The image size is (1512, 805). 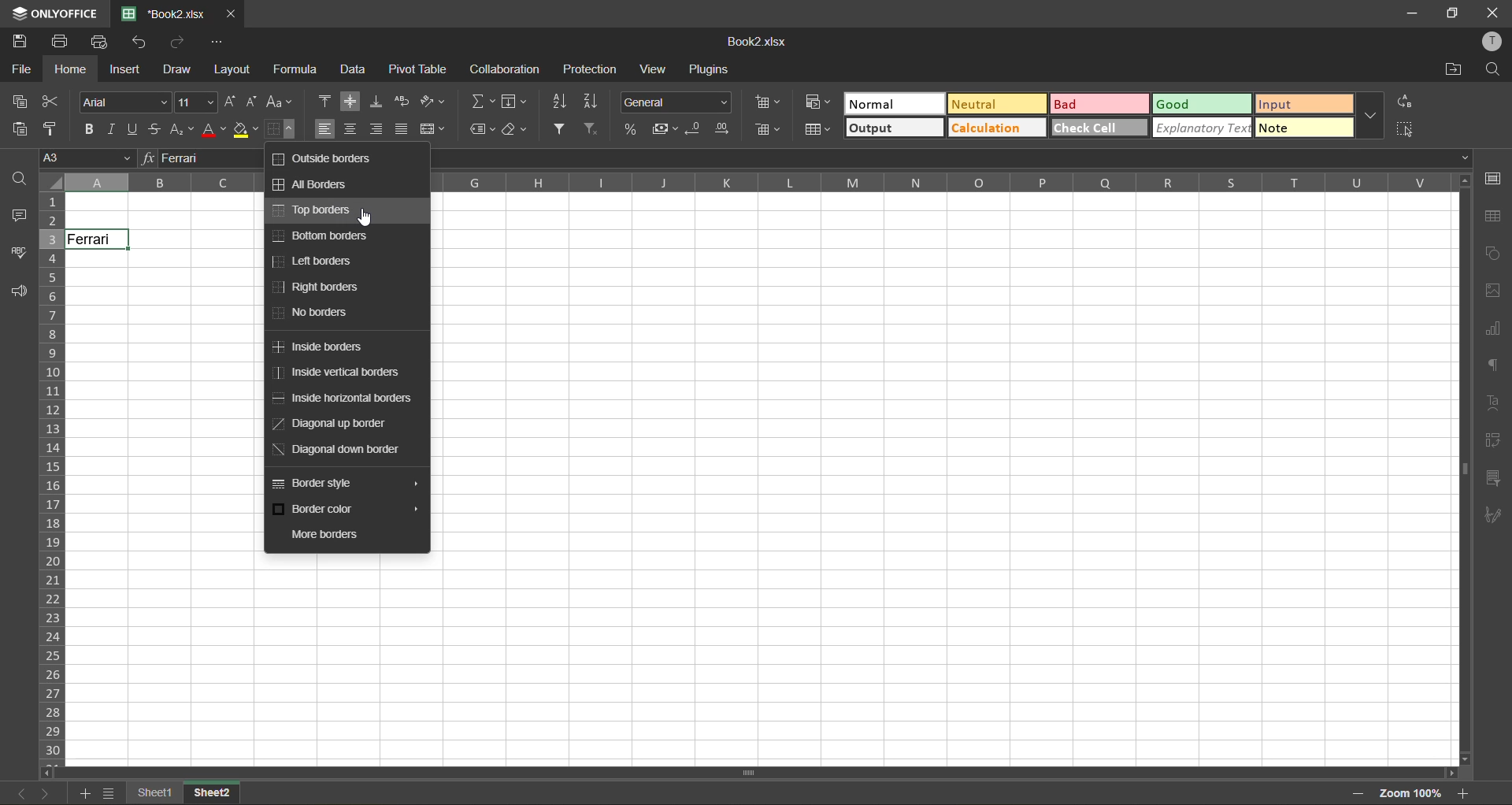 What do you see at coordinates (52, 11) in the screenshot?
I see `ONLYOFFICE` at bounding box center [52, 11].